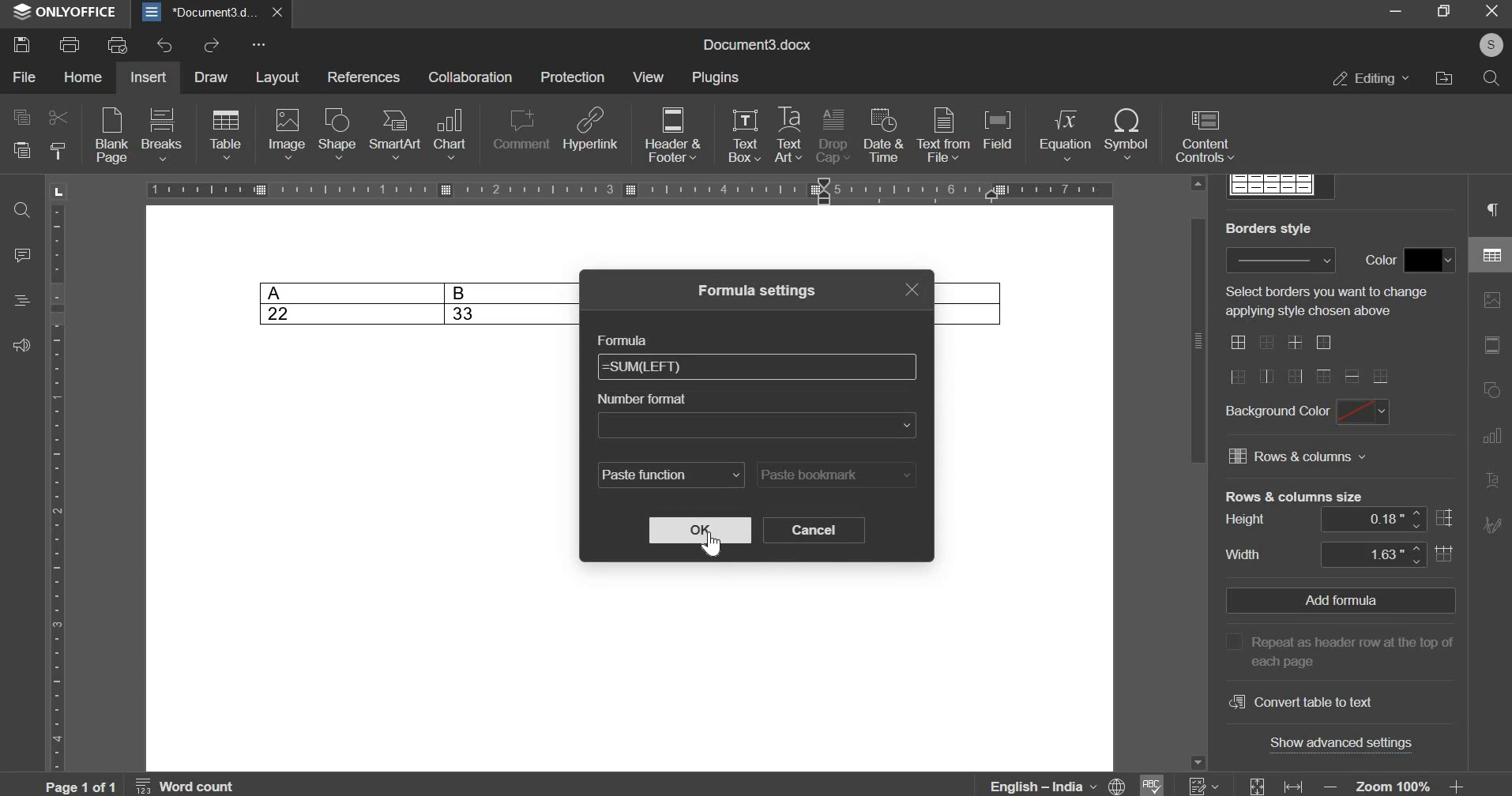 The height and width of the screenshot is (796, 1512). I want to click on shape settings, so click(1492, 390).